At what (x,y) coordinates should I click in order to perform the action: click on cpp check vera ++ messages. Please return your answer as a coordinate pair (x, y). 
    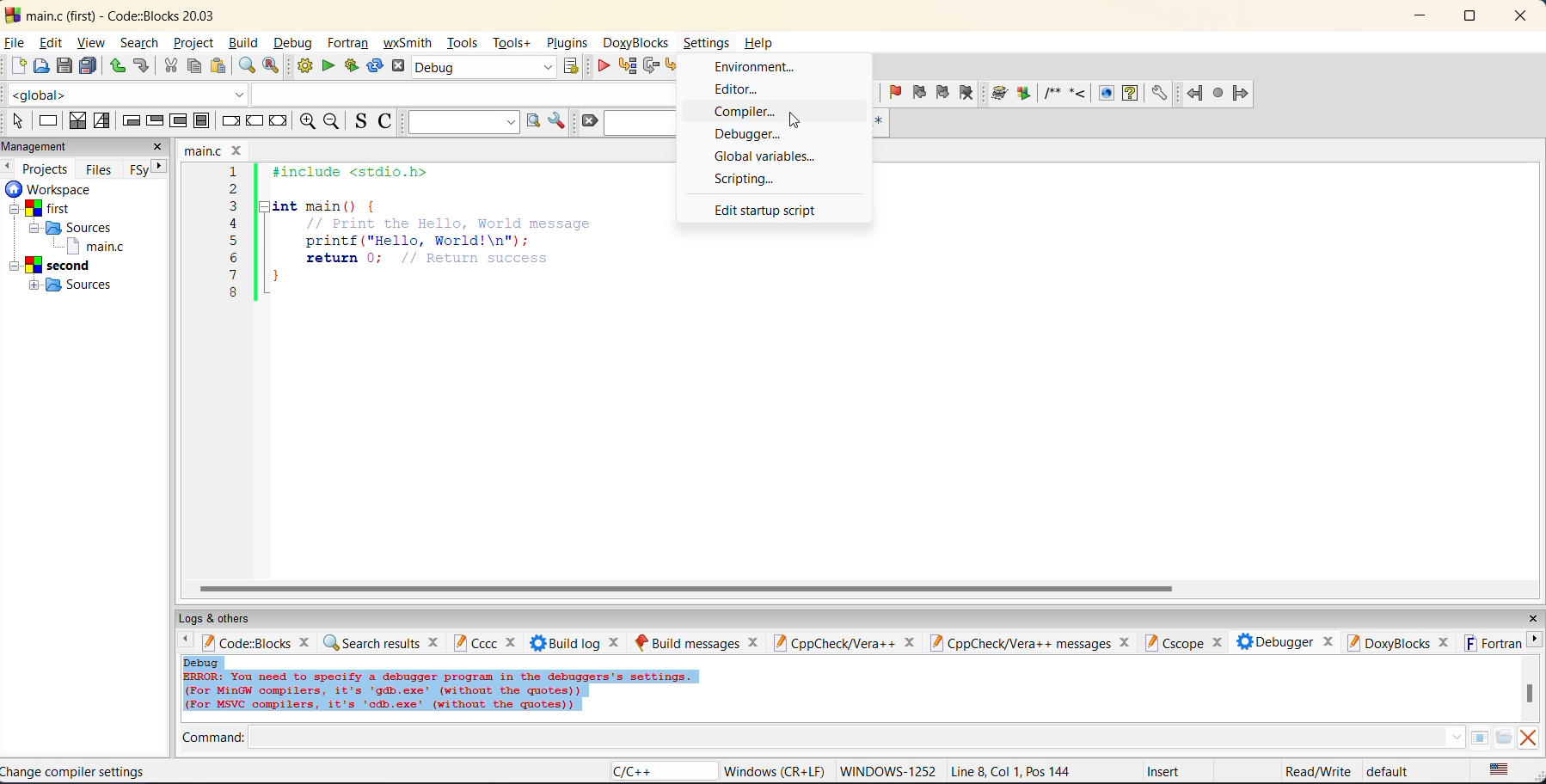
    Looking at the image, I should click on (1028, 642).